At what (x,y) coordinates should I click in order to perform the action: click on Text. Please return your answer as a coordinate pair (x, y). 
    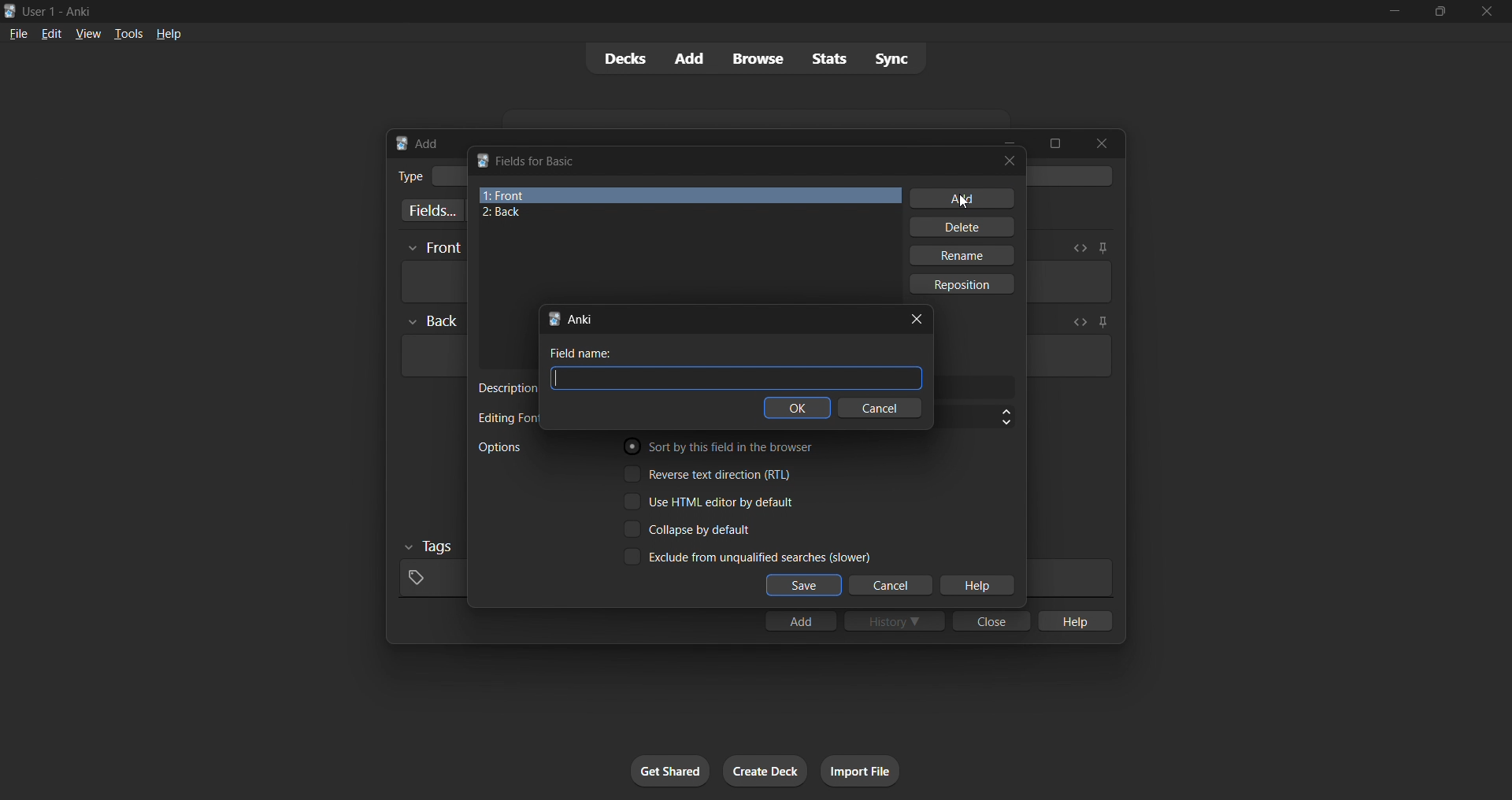
    Looking at the image, I should click on (506, 388).